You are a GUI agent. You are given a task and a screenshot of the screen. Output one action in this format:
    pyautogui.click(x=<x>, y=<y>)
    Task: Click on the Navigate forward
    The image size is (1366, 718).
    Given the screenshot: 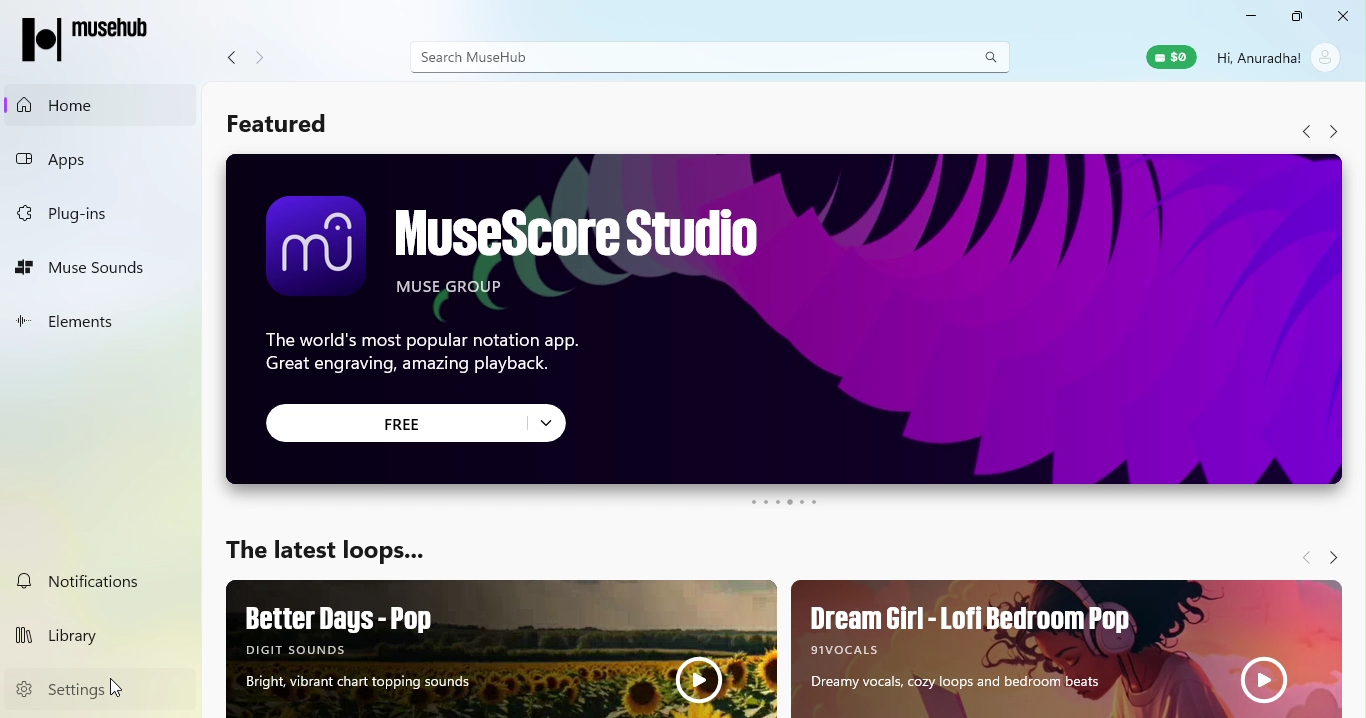 What is the action you would take?
    pyautogui.click(x=1335, y=133)
    